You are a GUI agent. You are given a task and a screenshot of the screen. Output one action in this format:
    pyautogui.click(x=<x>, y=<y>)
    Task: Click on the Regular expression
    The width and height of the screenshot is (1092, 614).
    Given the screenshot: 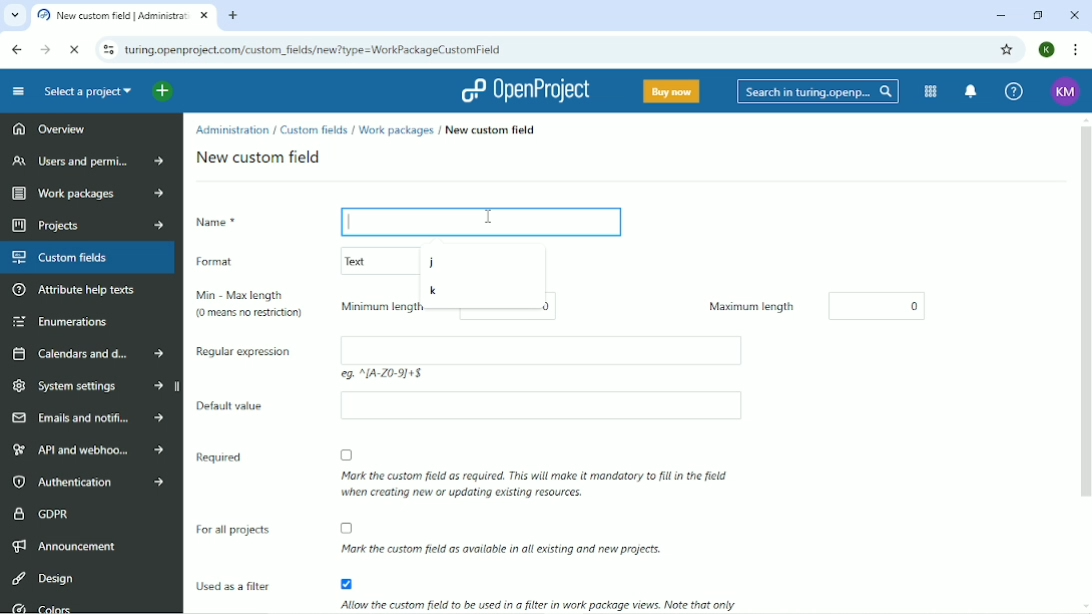 What is the action you would take?
    pyautogui.click(x=253, y=361)
    